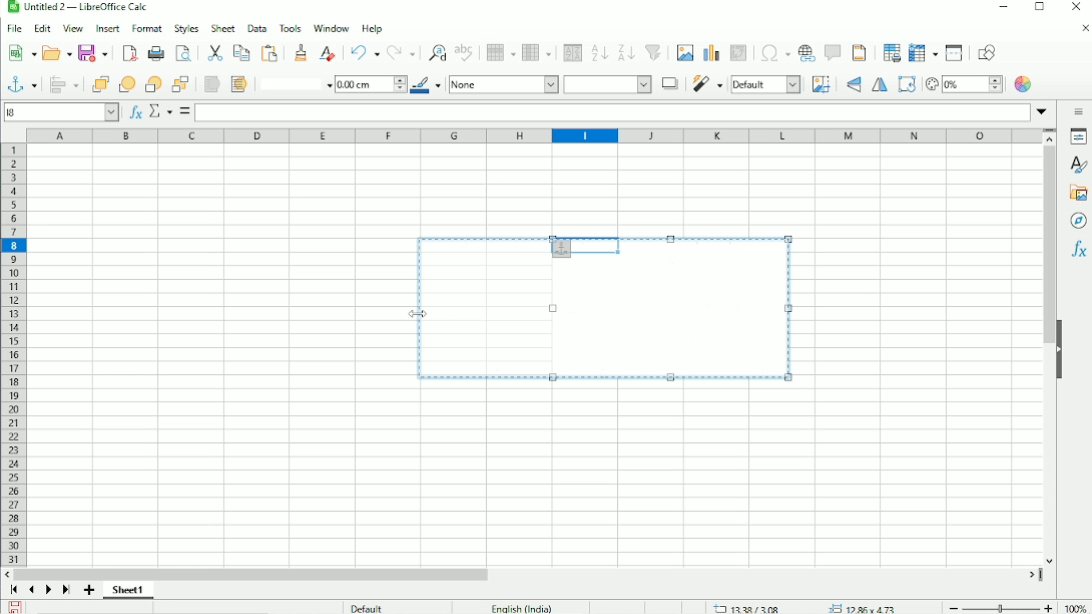 The width and height of the screenshot is (1092, 614). I want to click on Split window, so click(954, 53).